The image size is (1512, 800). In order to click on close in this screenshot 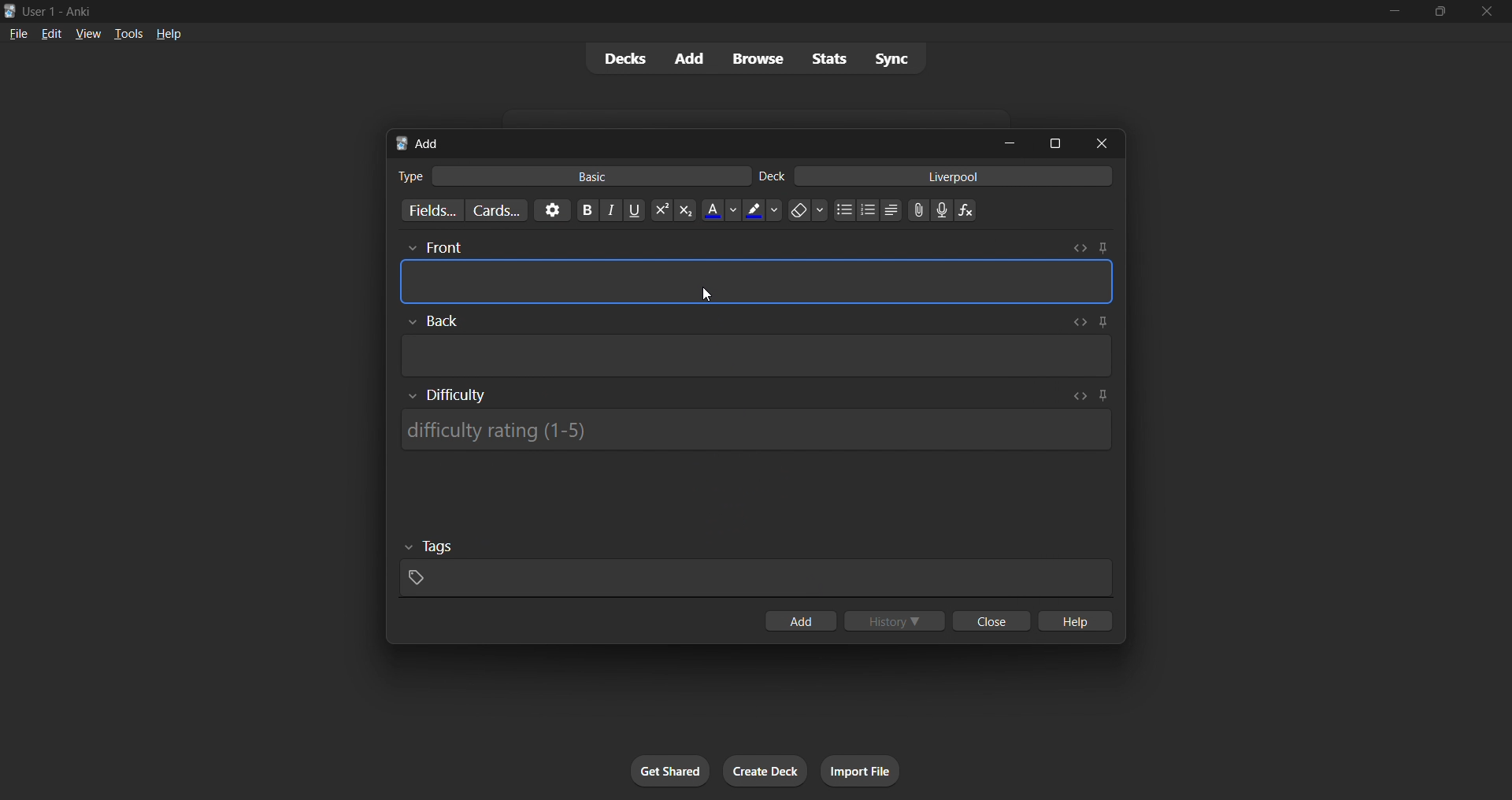, I will do `click(991, 620)`.